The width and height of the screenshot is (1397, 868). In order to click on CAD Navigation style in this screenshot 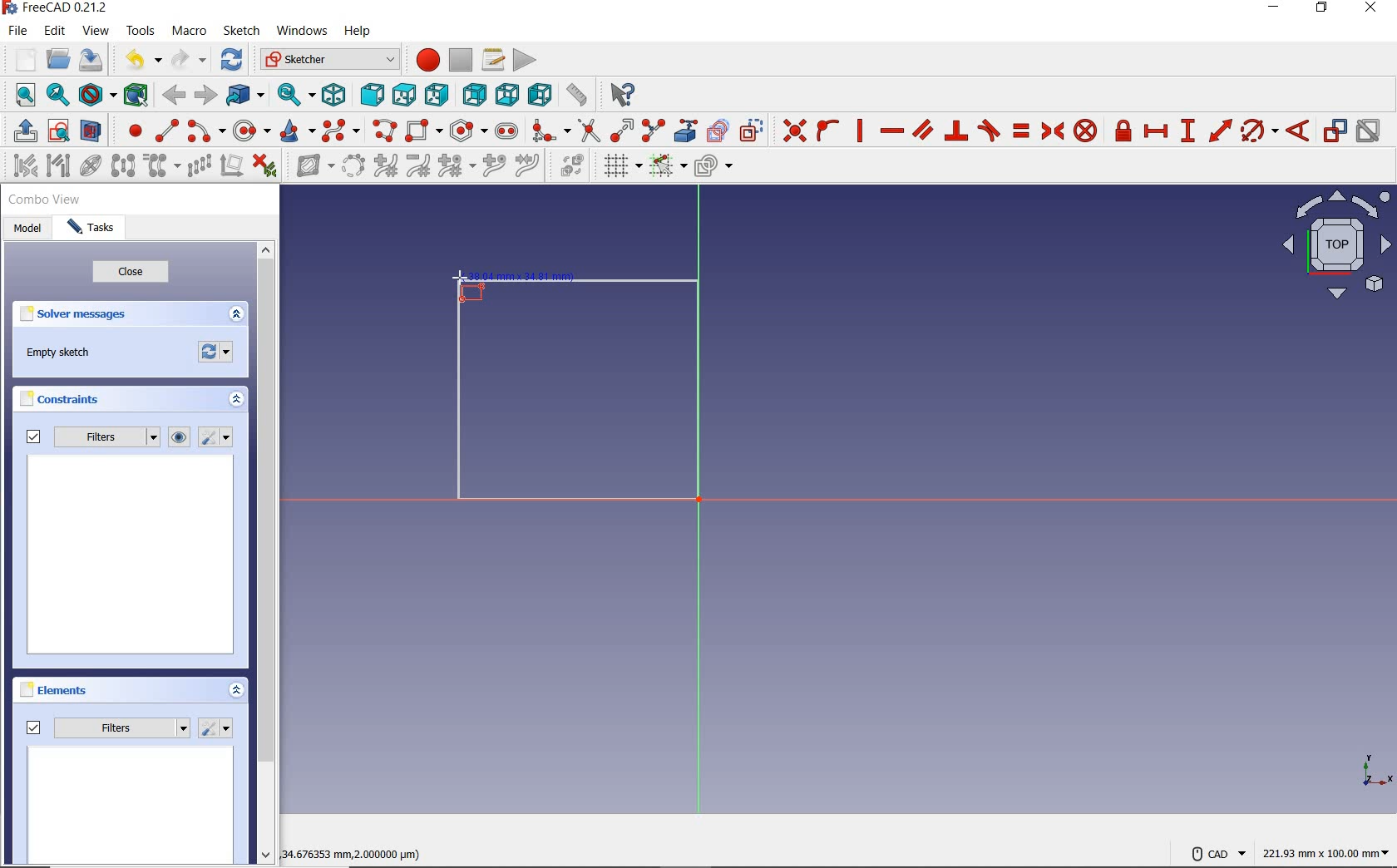, I will do `click(1214, 852)`.